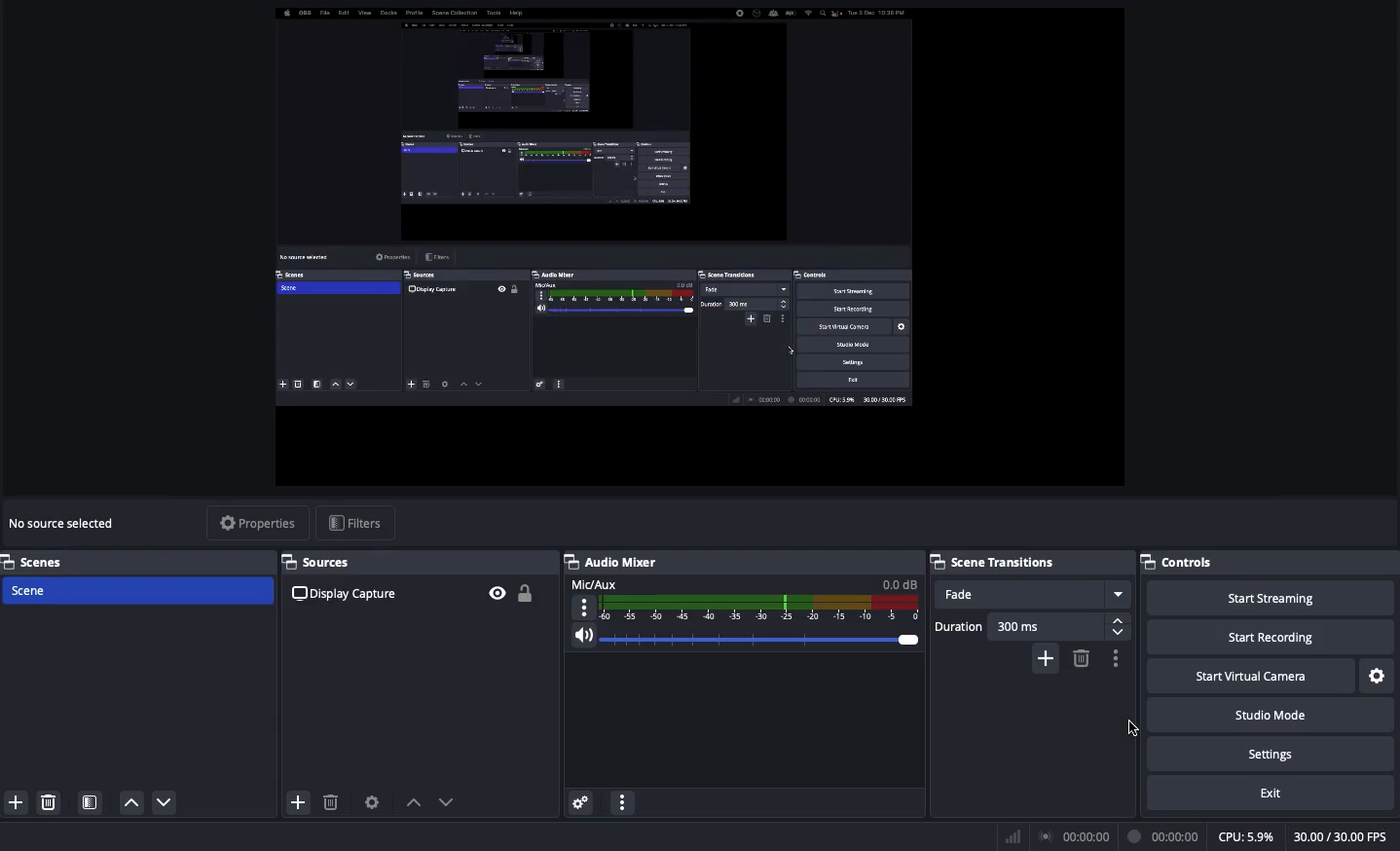 The image size is (1400, 851). I want to click on Up, so click(159, 804).